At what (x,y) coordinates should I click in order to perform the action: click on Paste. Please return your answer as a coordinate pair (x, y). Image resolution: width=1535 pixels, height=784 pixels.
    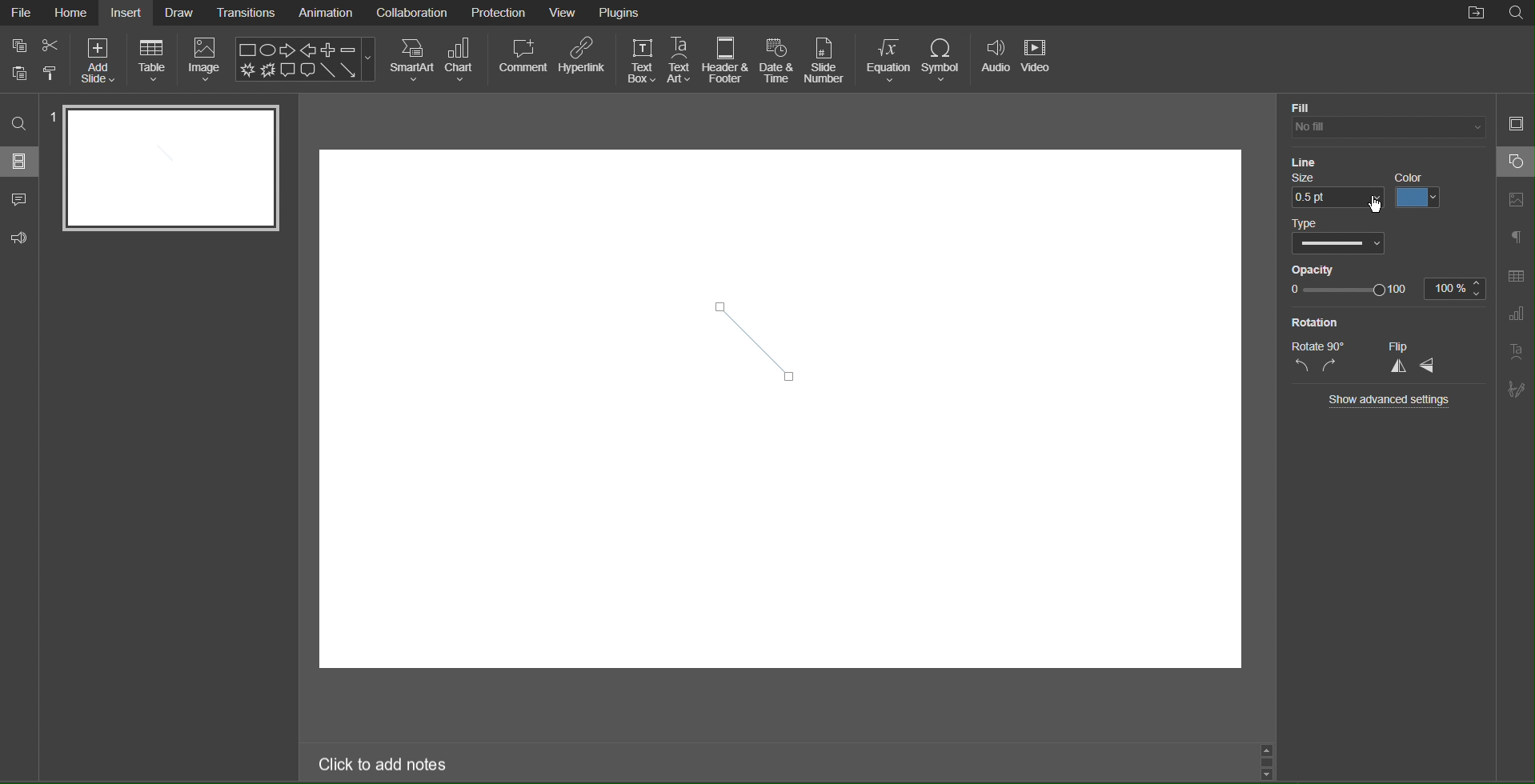
    Looking at the image, I should click on (18, 46).